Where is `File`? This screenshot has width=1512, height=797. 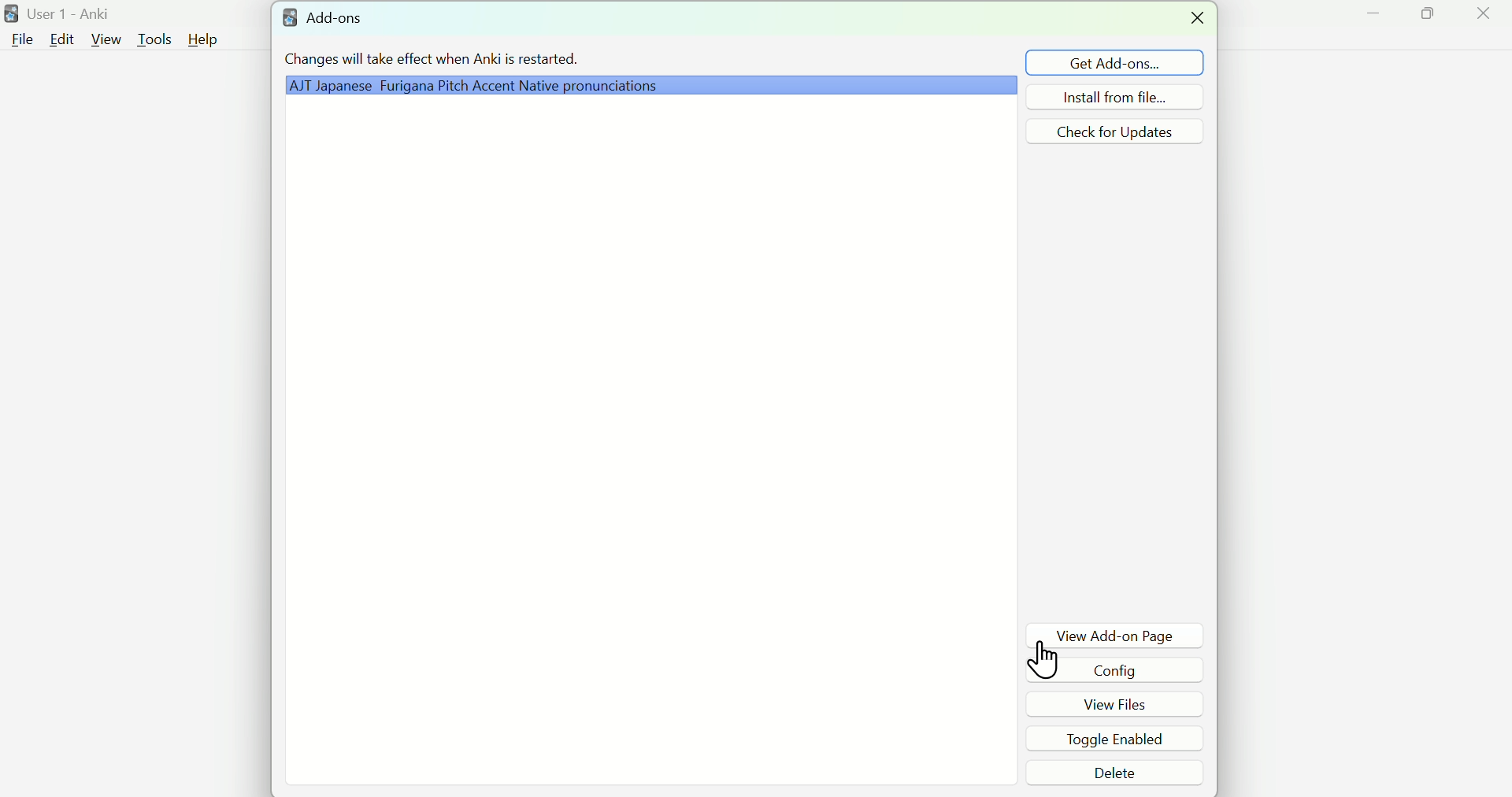 File is located at coordinates (19, 42).